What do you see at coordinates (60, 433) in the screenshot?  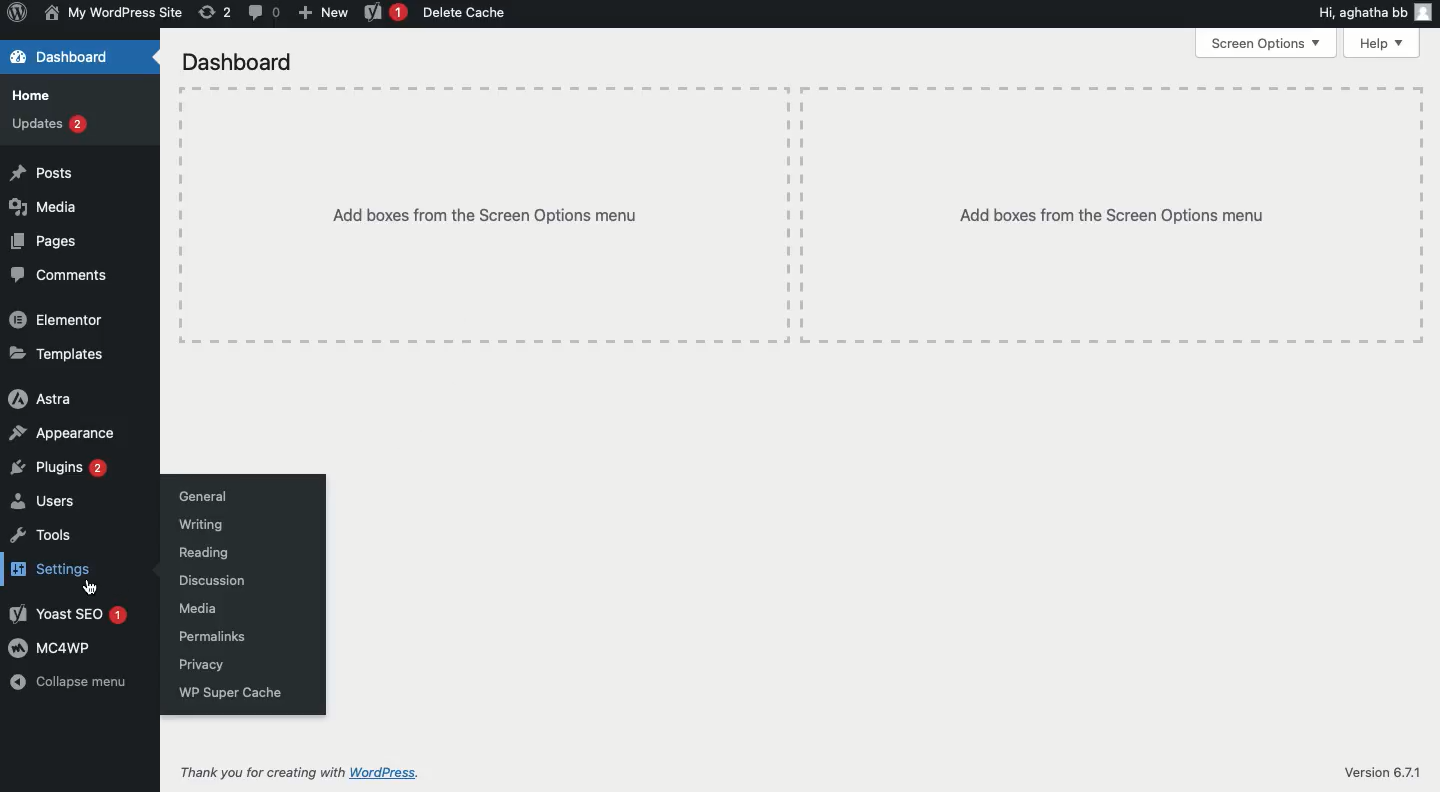 I see `Appearance` at bounding box center [60, 433].